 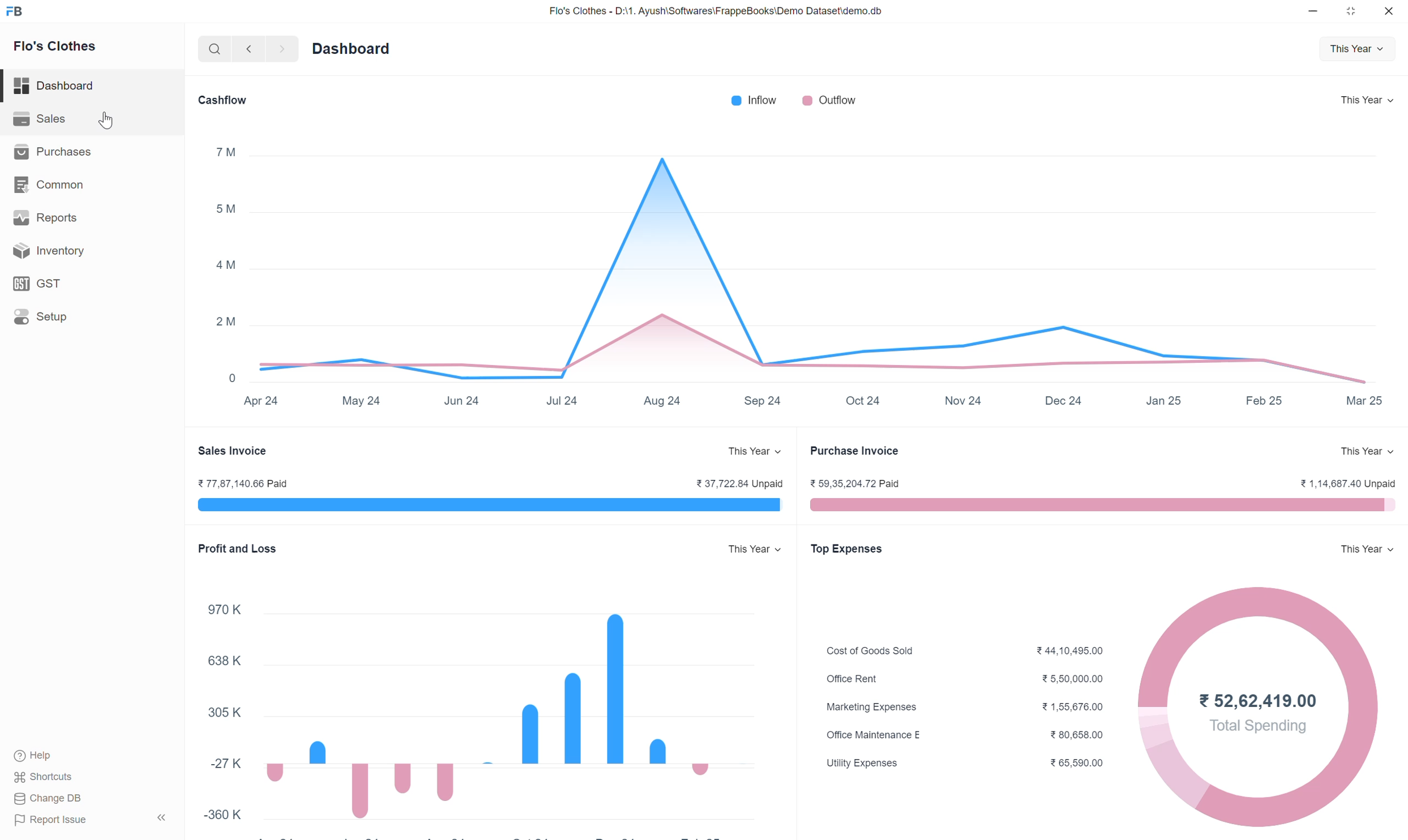 I want to click on Setup, so click(x=78, y=320).